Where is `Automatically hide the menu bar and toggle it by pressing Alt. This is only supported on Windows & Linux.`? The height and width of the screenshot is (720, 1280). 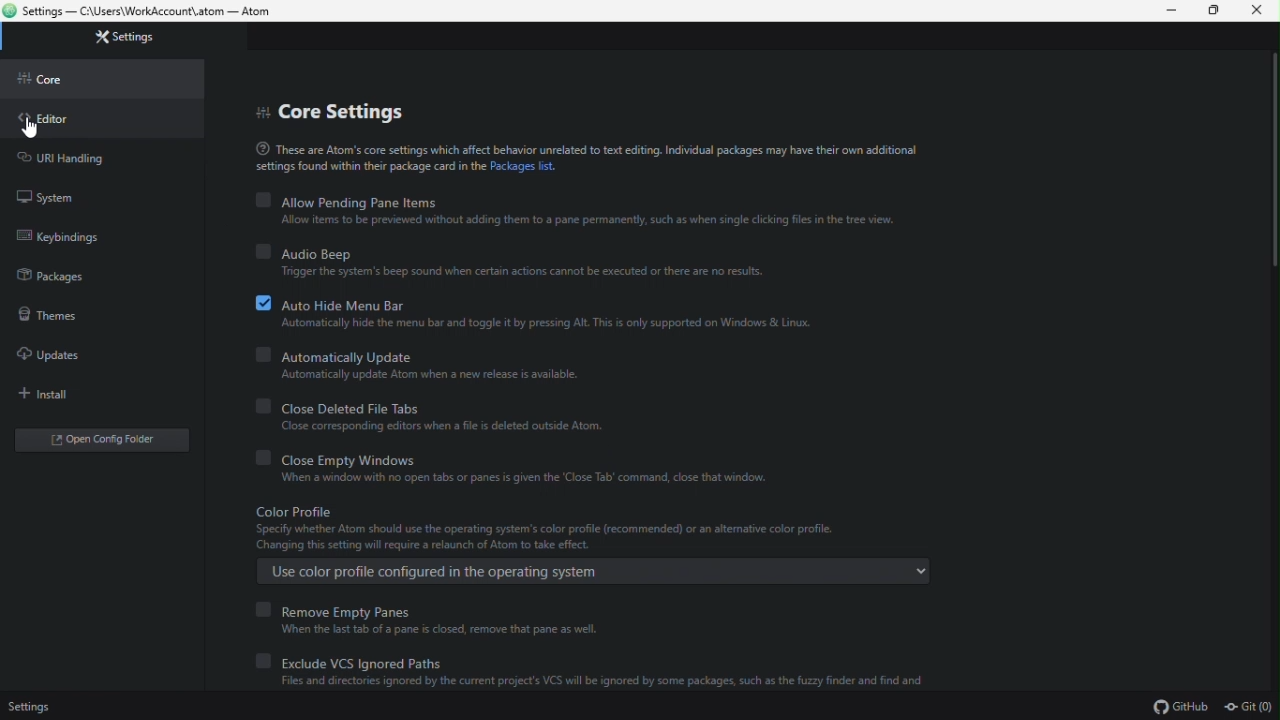 Automatically hide the menu bar and toggle it by pressing Alt. This is only supported on Windows & Linux. is located at coordinates (551, 325).